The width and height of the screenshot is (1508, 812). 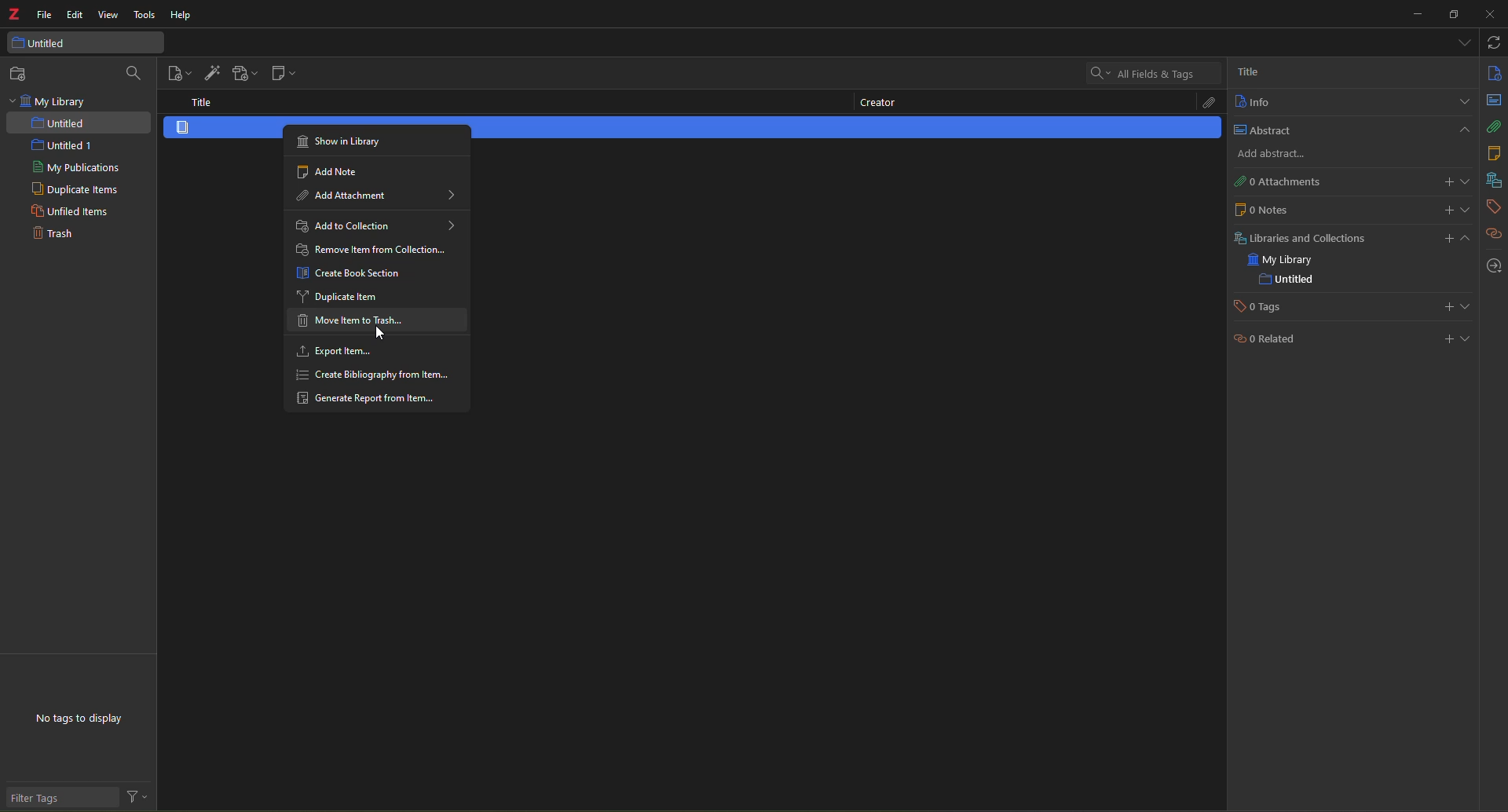 What do you see at coordinates (1467, 181) in the screenshot?
I see `expand` at bounding box center [1467, 181].